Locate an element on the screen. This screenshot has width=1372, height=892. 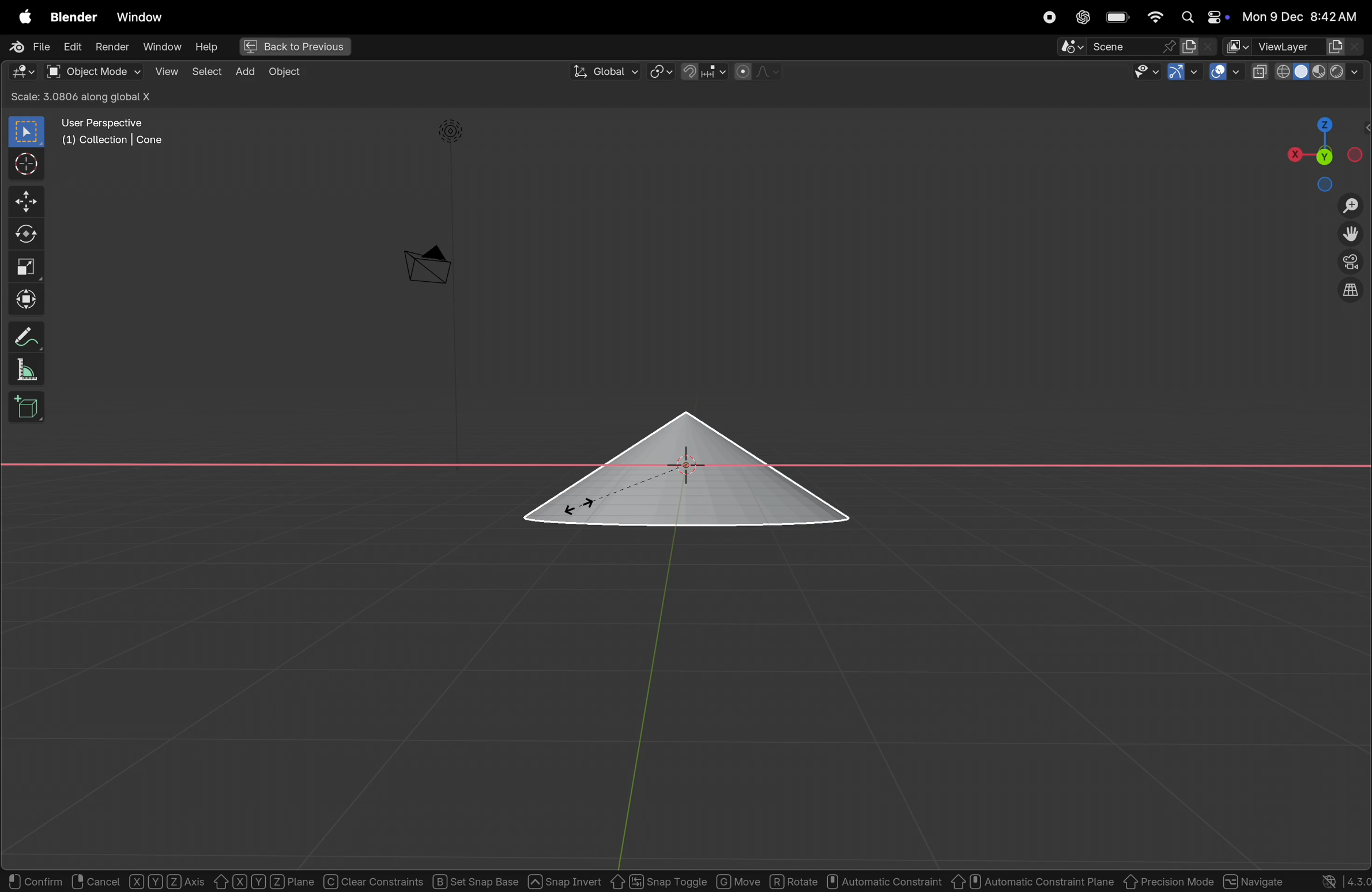
zoom in zom out is located at coordinates (1353, 205).